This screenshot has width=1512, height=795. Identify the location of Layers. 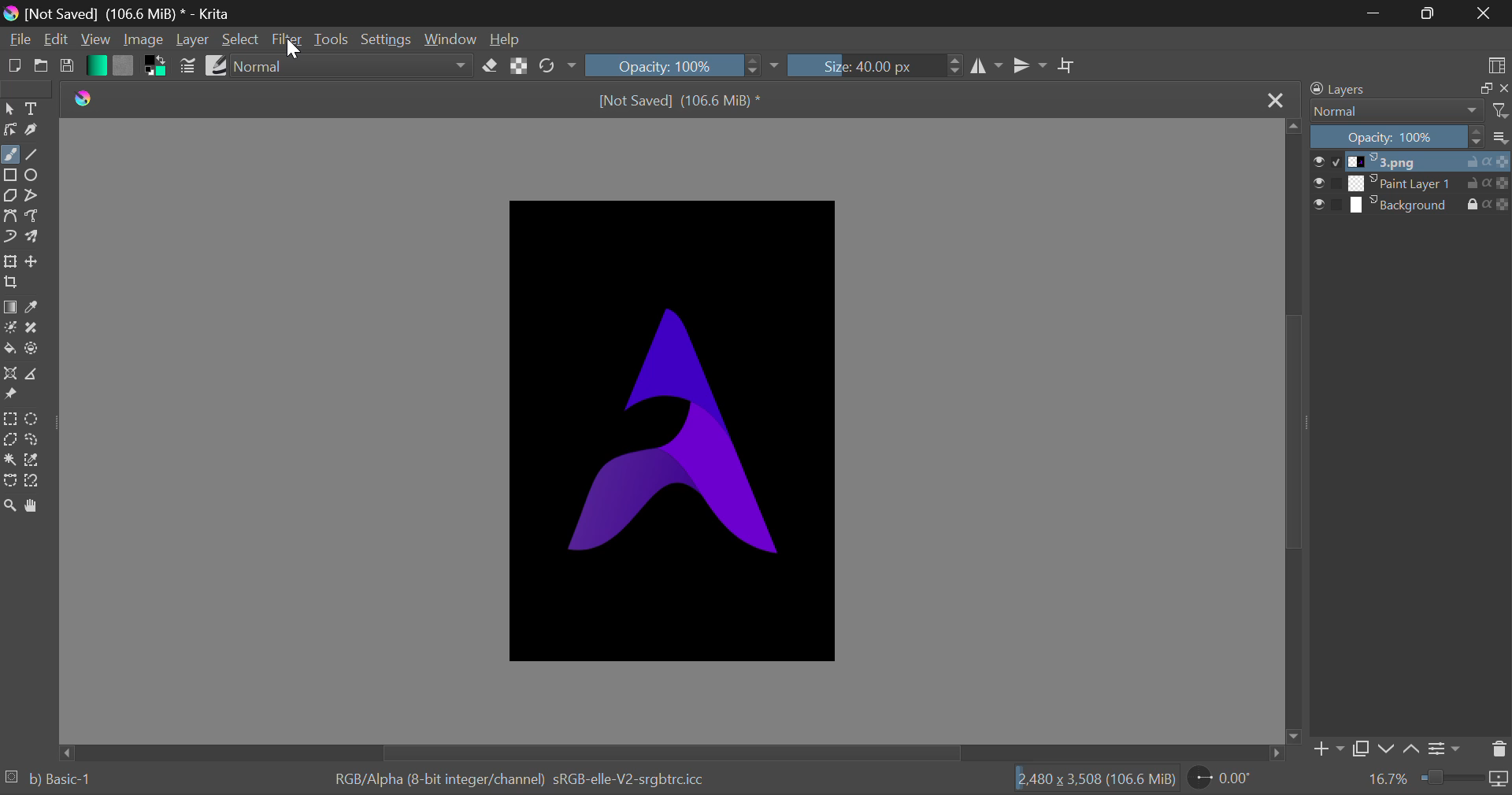
(1341, 89).